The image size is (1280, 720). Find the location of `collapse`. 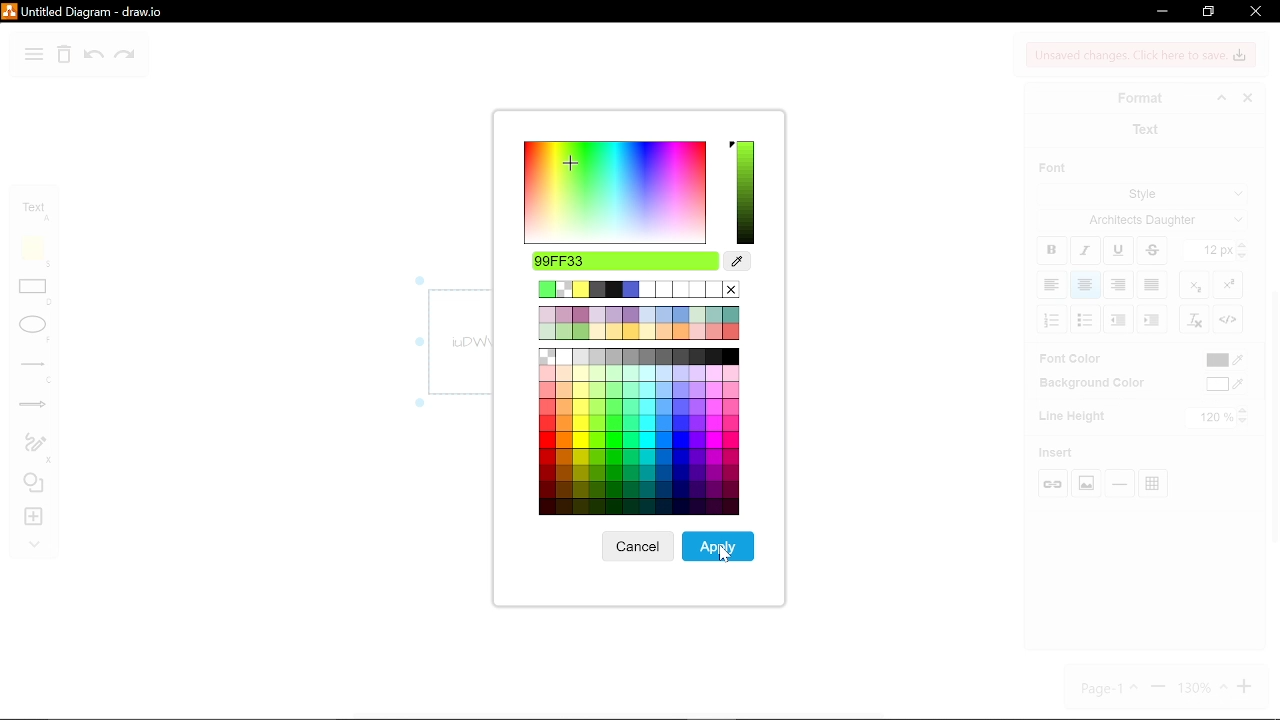

collapse is located at coordinates (29, 548).